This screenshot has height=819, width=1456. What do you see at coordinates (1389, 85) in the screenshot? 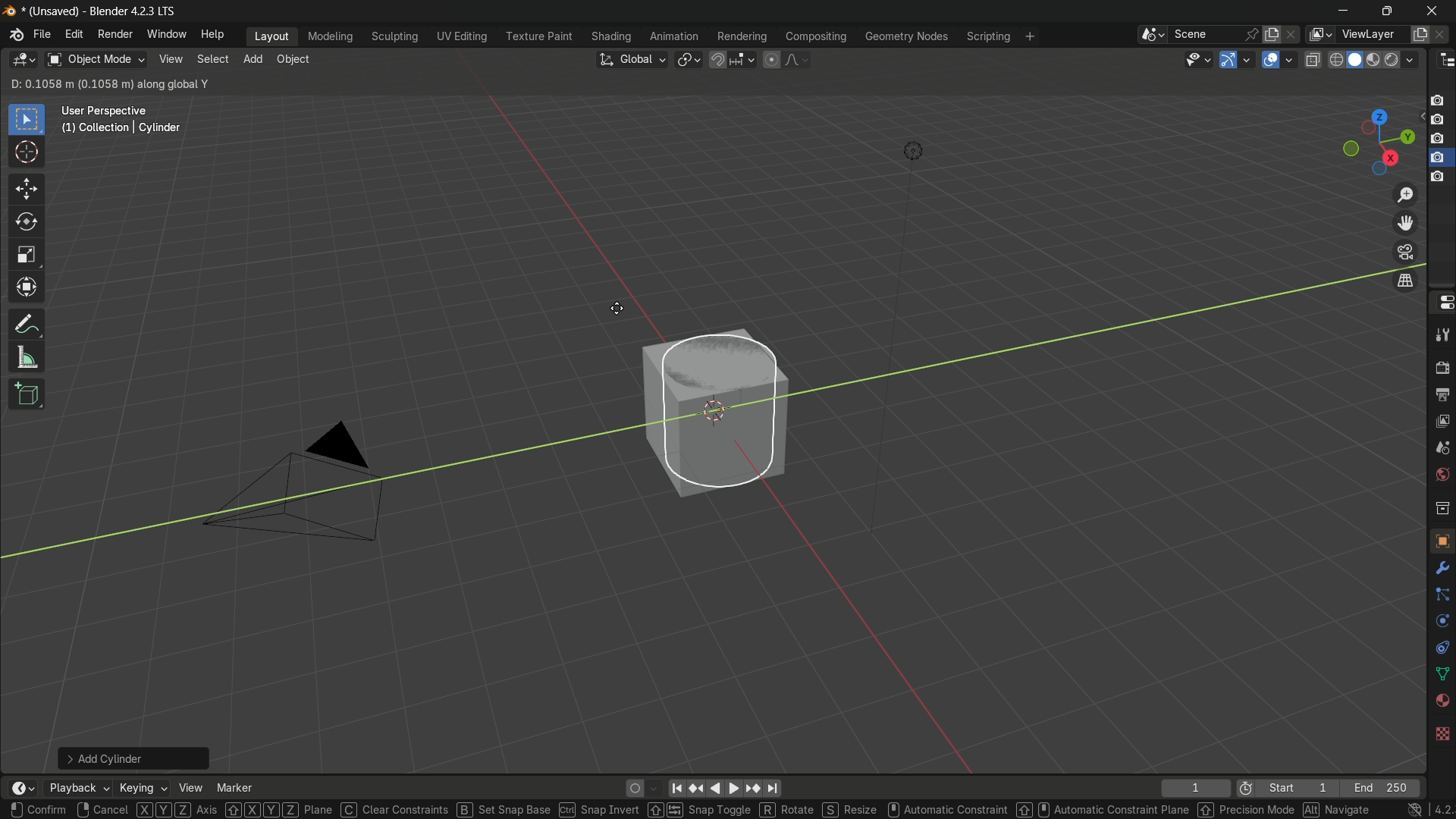
I see `options` at bounding box center [1389, 85].